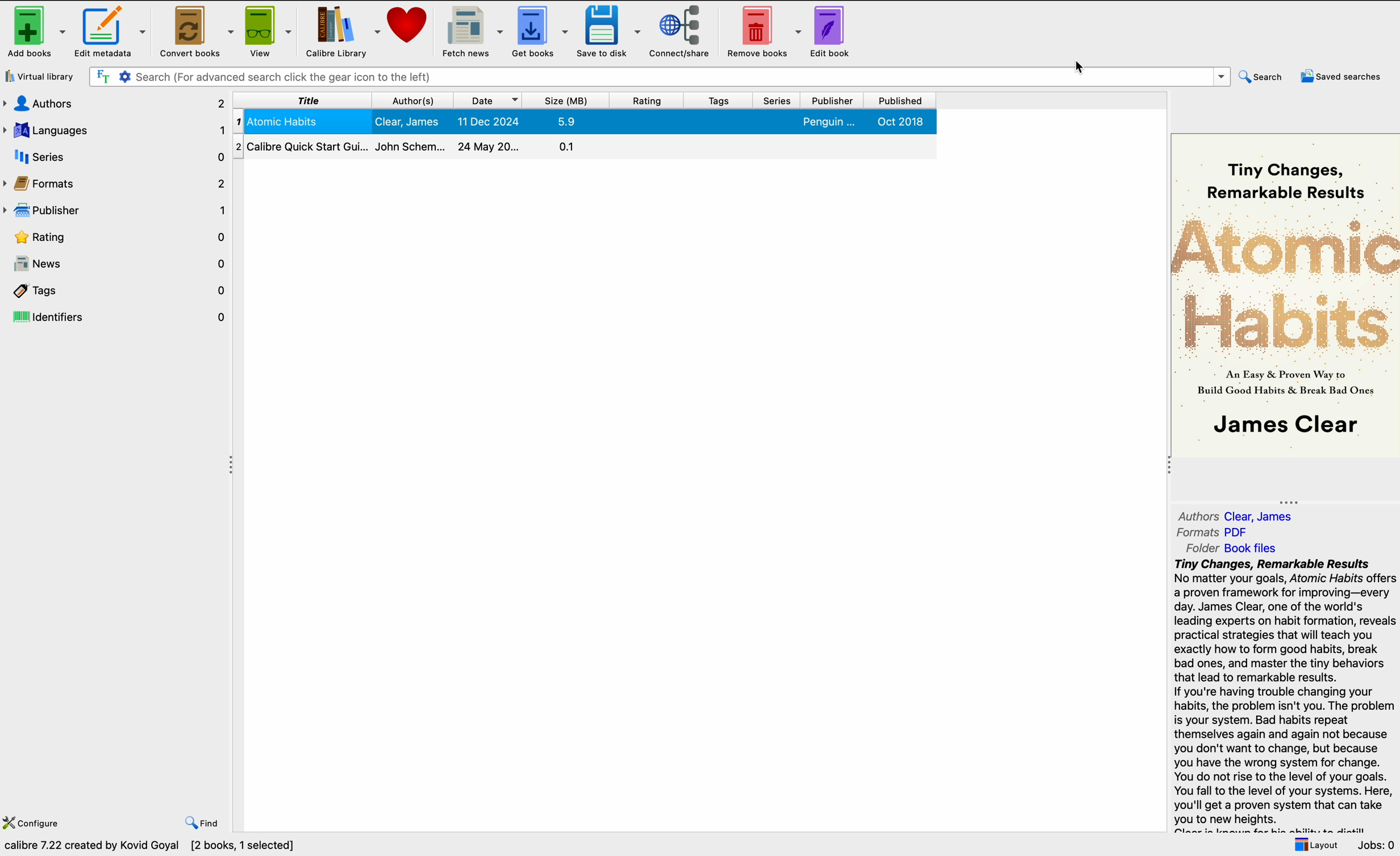  Describe the element at coordinates (762, 32) in the screenshot. I see `remove books` at that location.